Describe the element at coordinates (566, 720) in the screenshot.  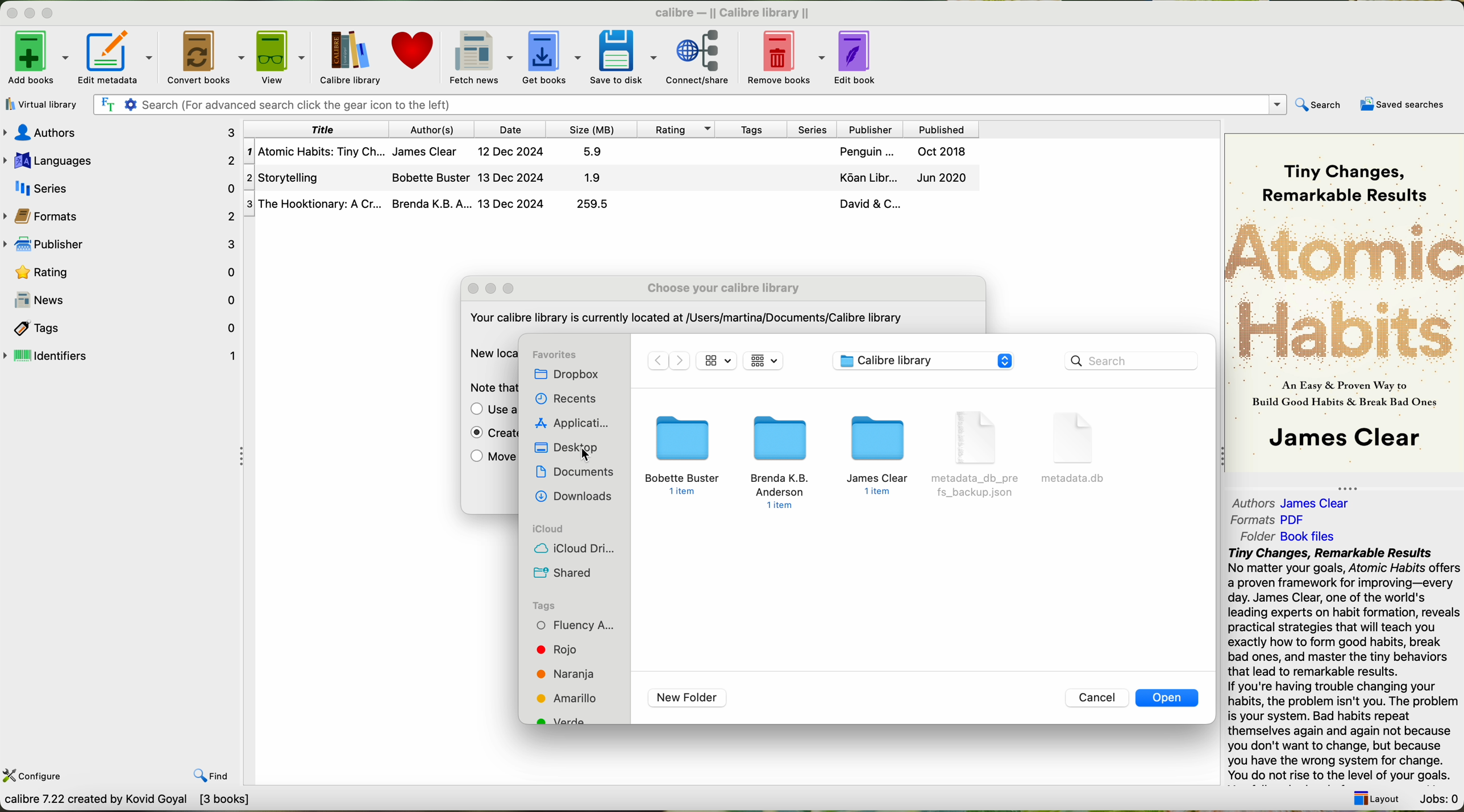
I see `green tag` at that location.